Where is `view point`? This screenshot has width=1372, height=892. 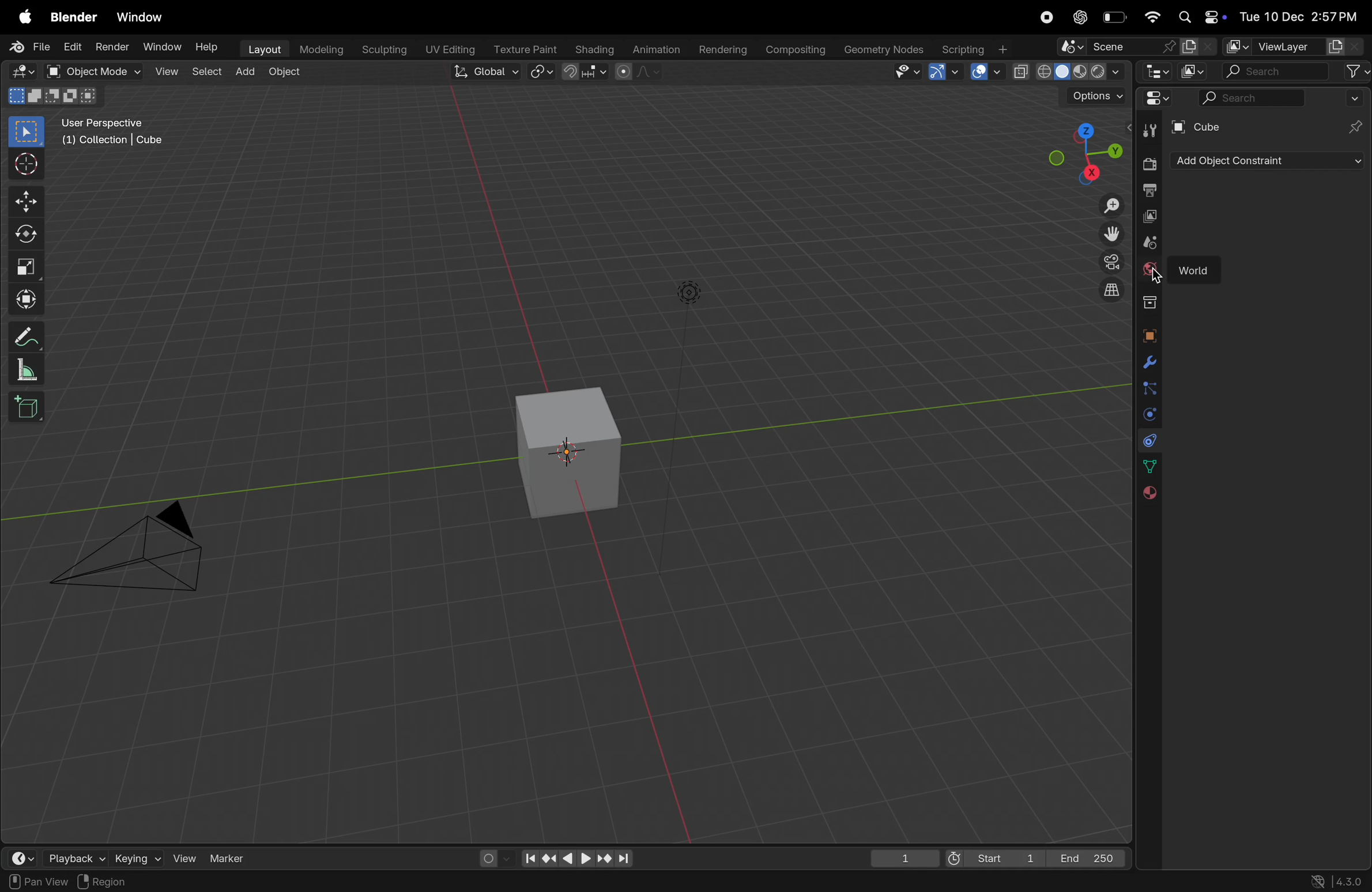 view point is located at coordinates (1077, 156).